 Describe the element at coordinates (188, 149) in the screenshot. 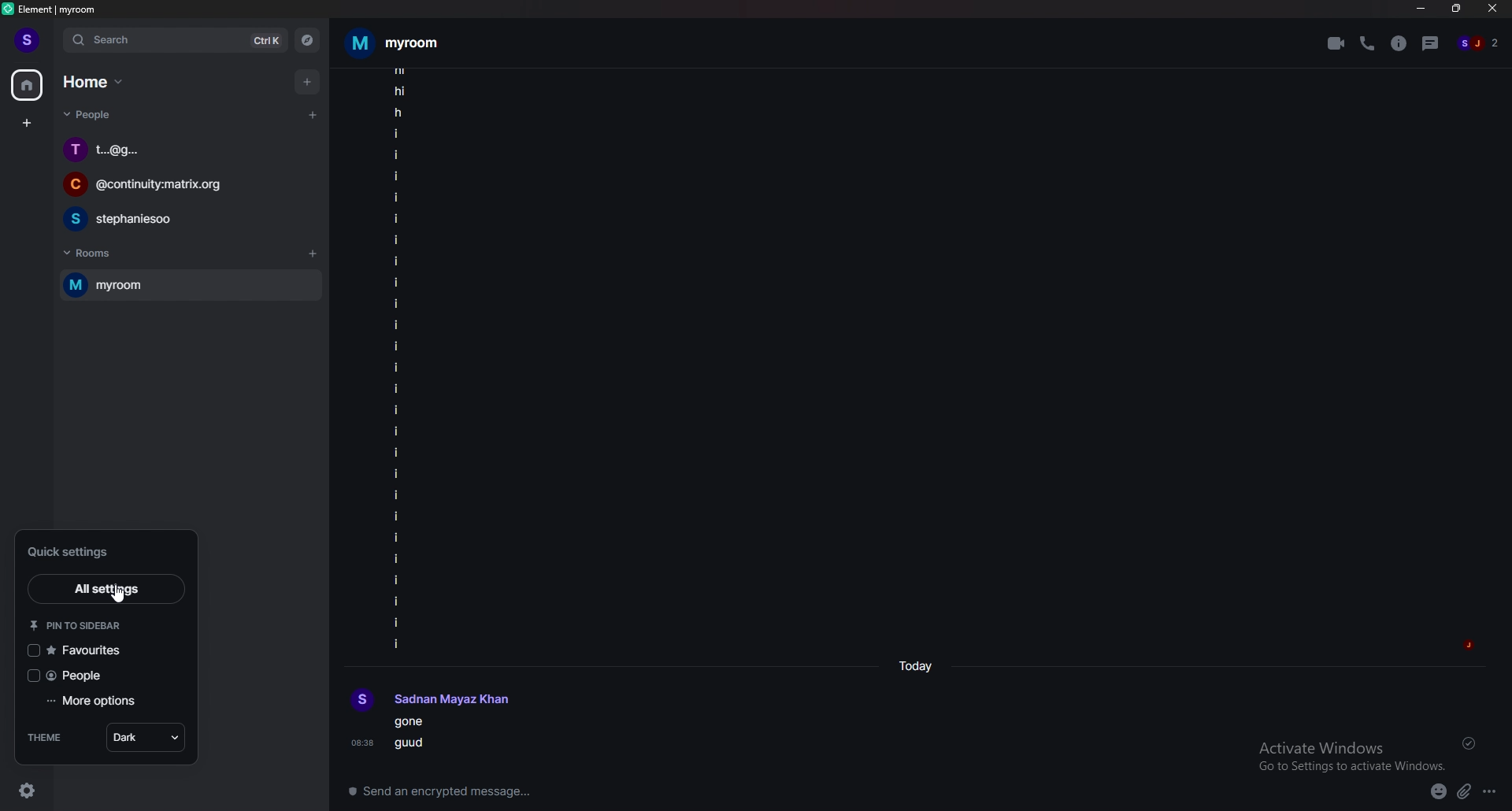

I see `chat` at that location.